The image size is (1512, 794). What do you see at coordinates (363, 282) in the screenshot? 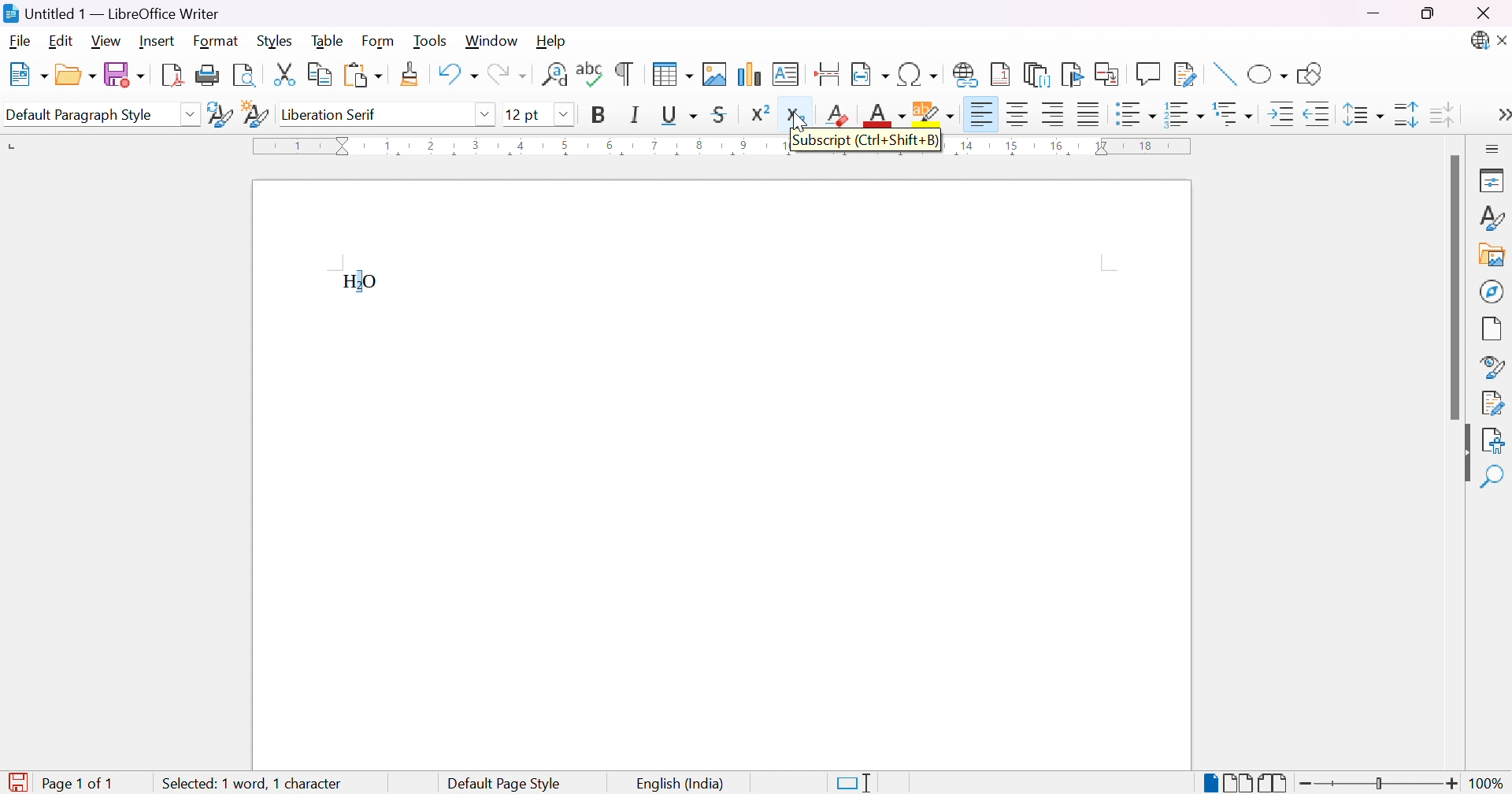
I see `H2O` at bounding box center [363, 282].